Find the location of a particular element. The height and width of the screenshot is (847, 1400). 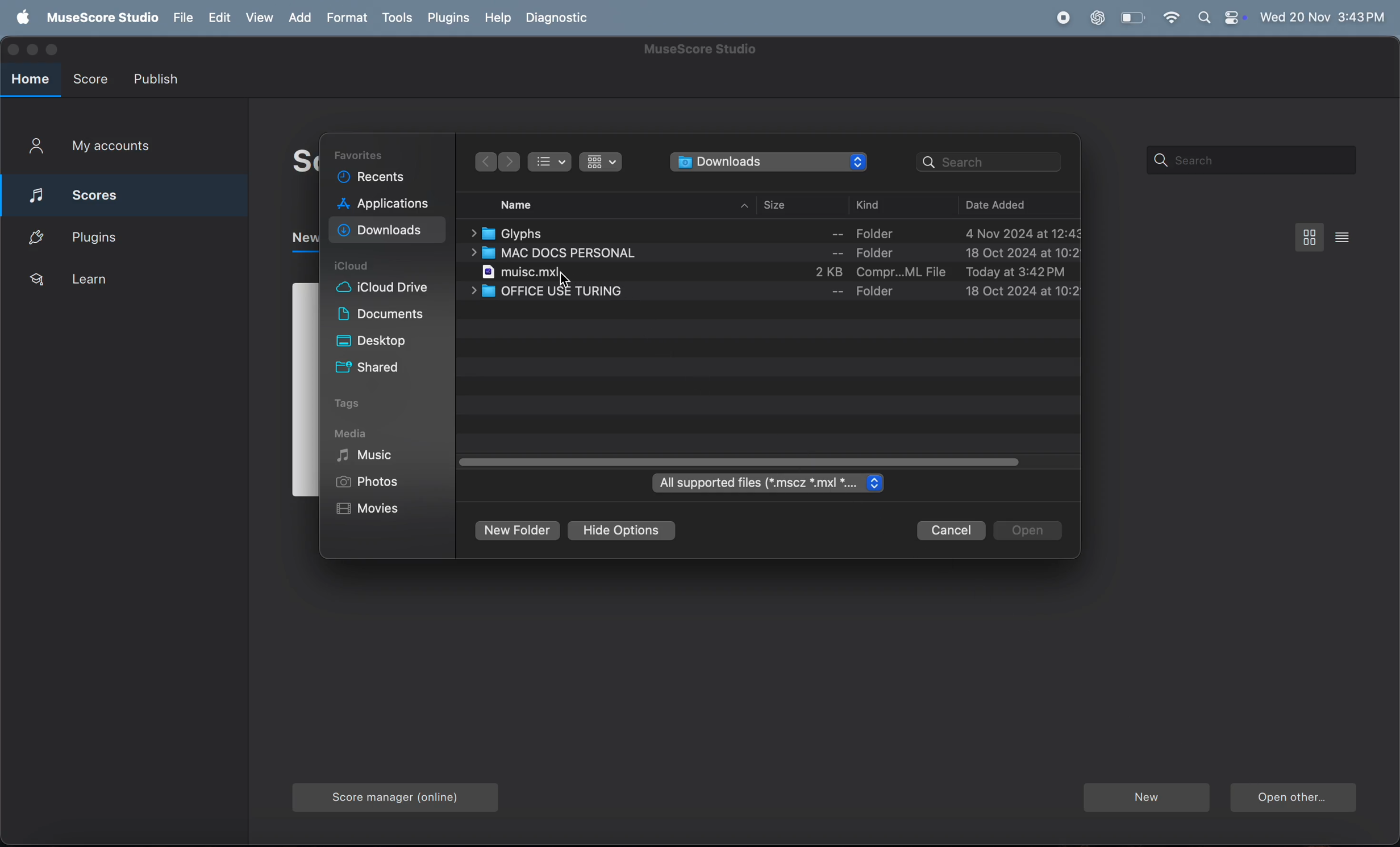

minimize is located at coordinates (31, 49).